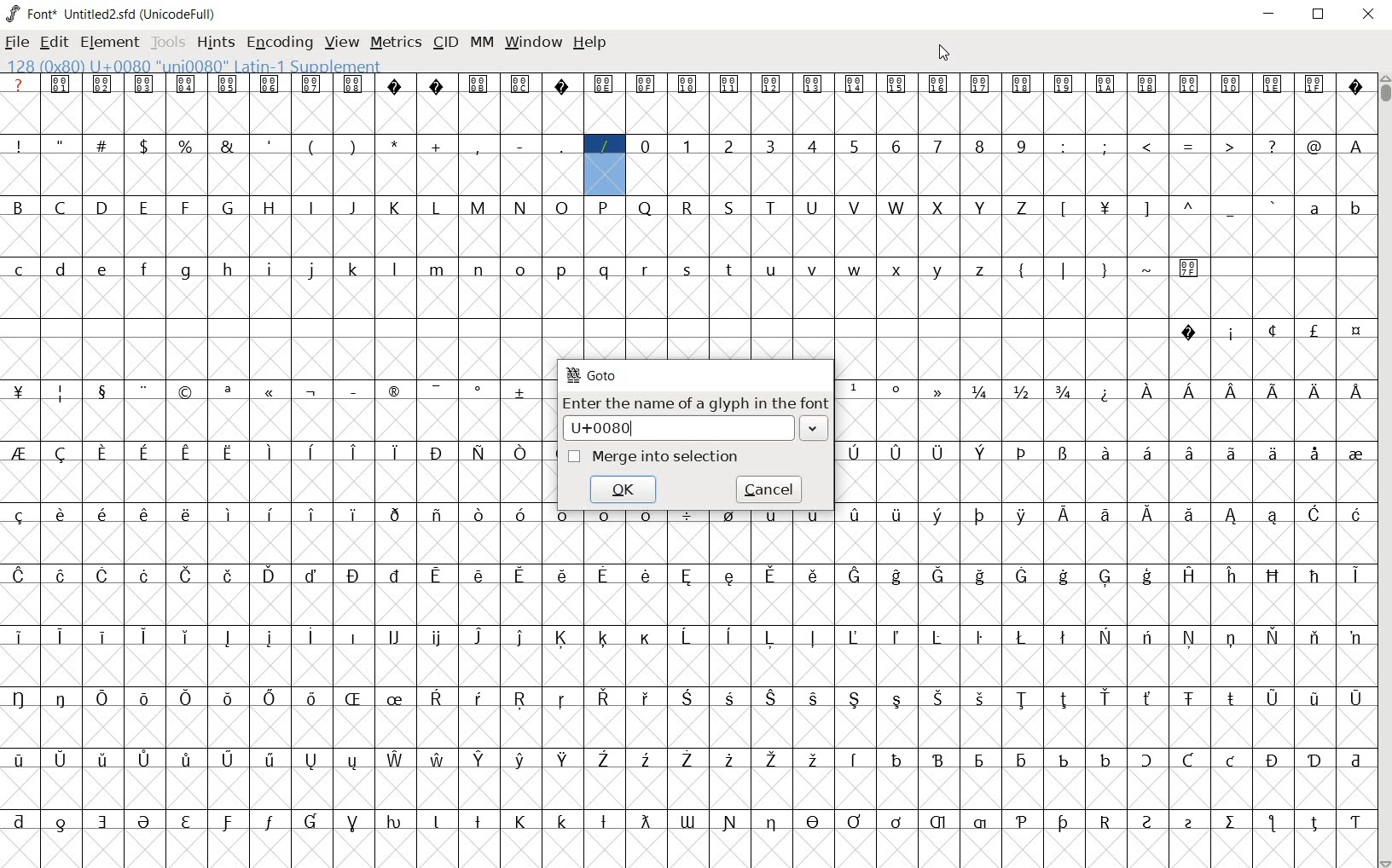  I want to click on glyph, so click(813, 84).